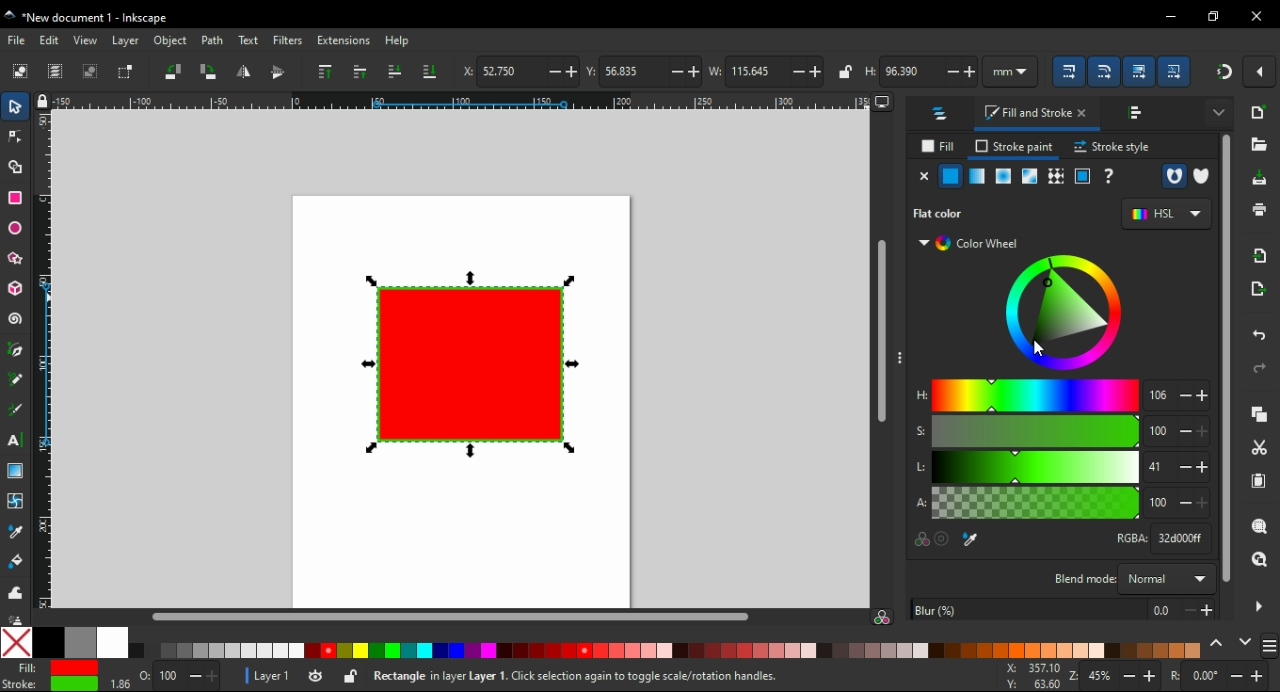  What do you see at coordinates (314, 677) in the screenshot?
I see `visibility` at bounding box center [314, 677].